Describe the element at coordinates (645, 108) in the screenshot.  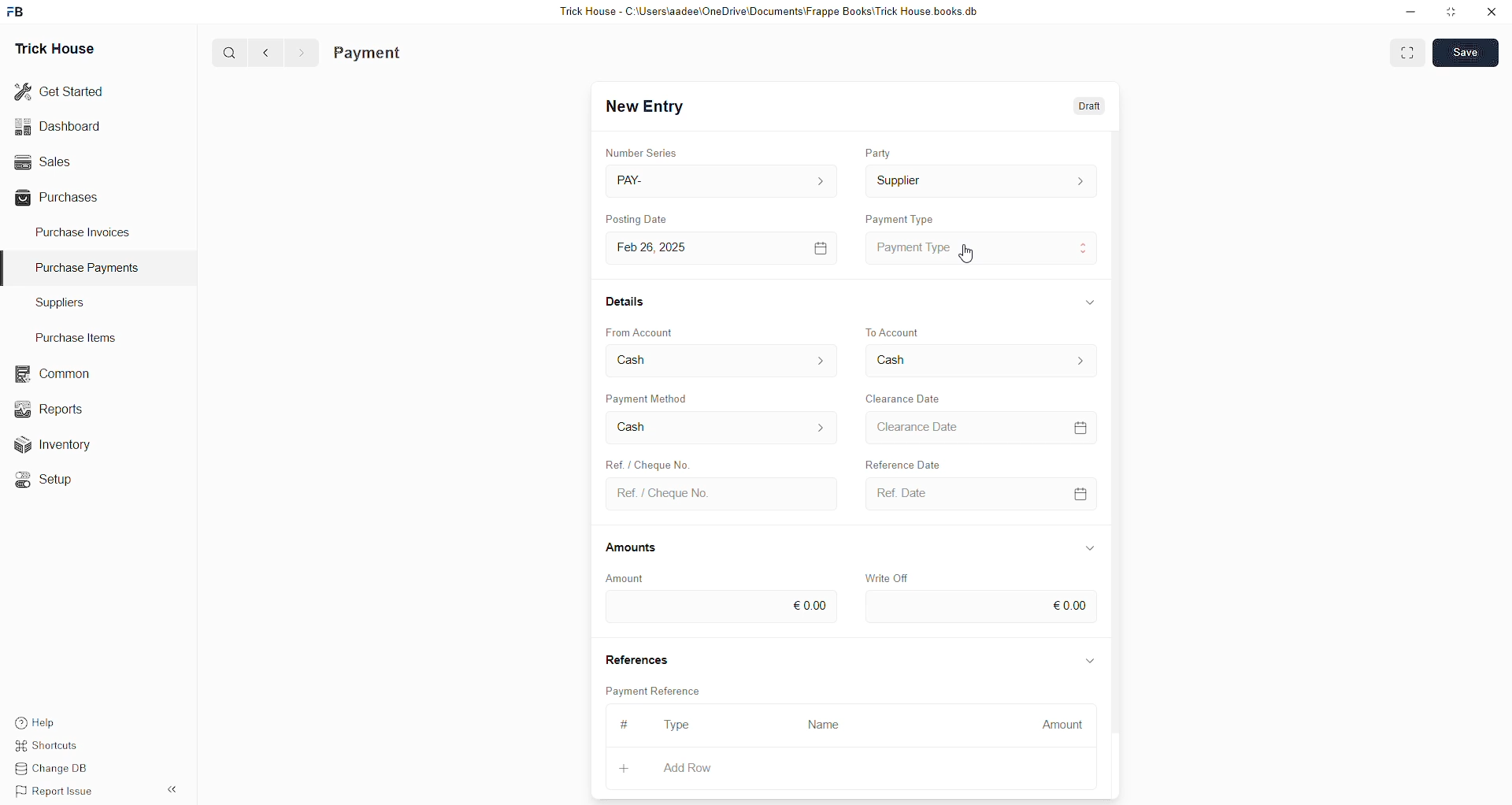
I see `New Entry` at that location.